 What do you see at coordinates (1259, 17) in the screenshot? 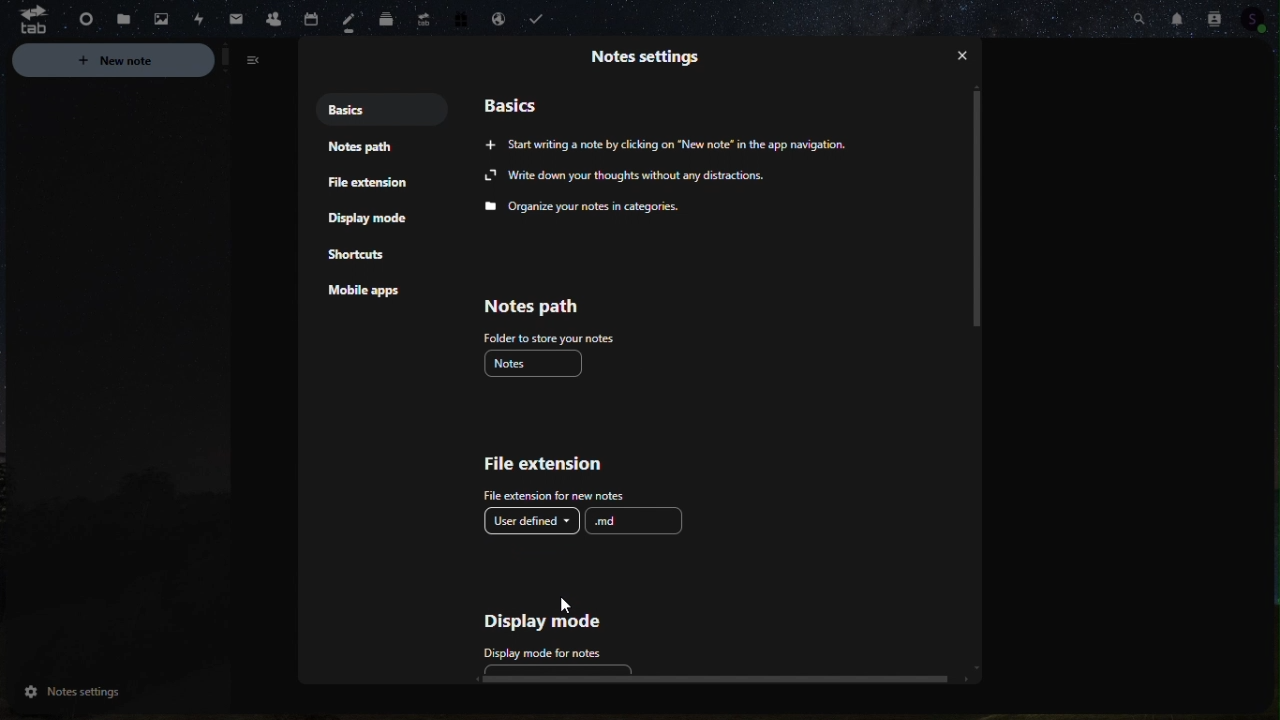
I see `Profile` at bounding box center [1259, 17].